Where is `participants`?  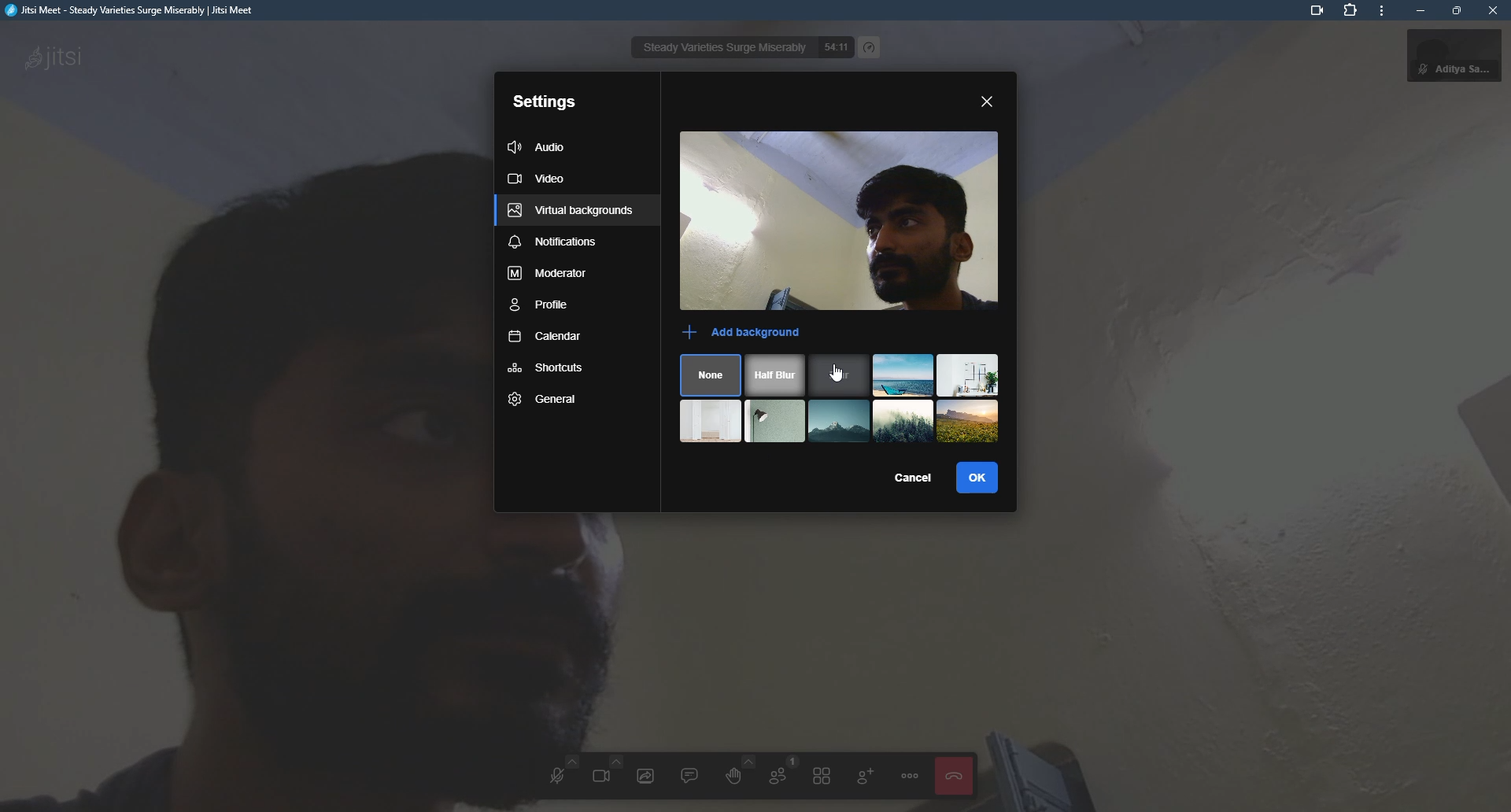
participants is located at coordinates (779, 773).